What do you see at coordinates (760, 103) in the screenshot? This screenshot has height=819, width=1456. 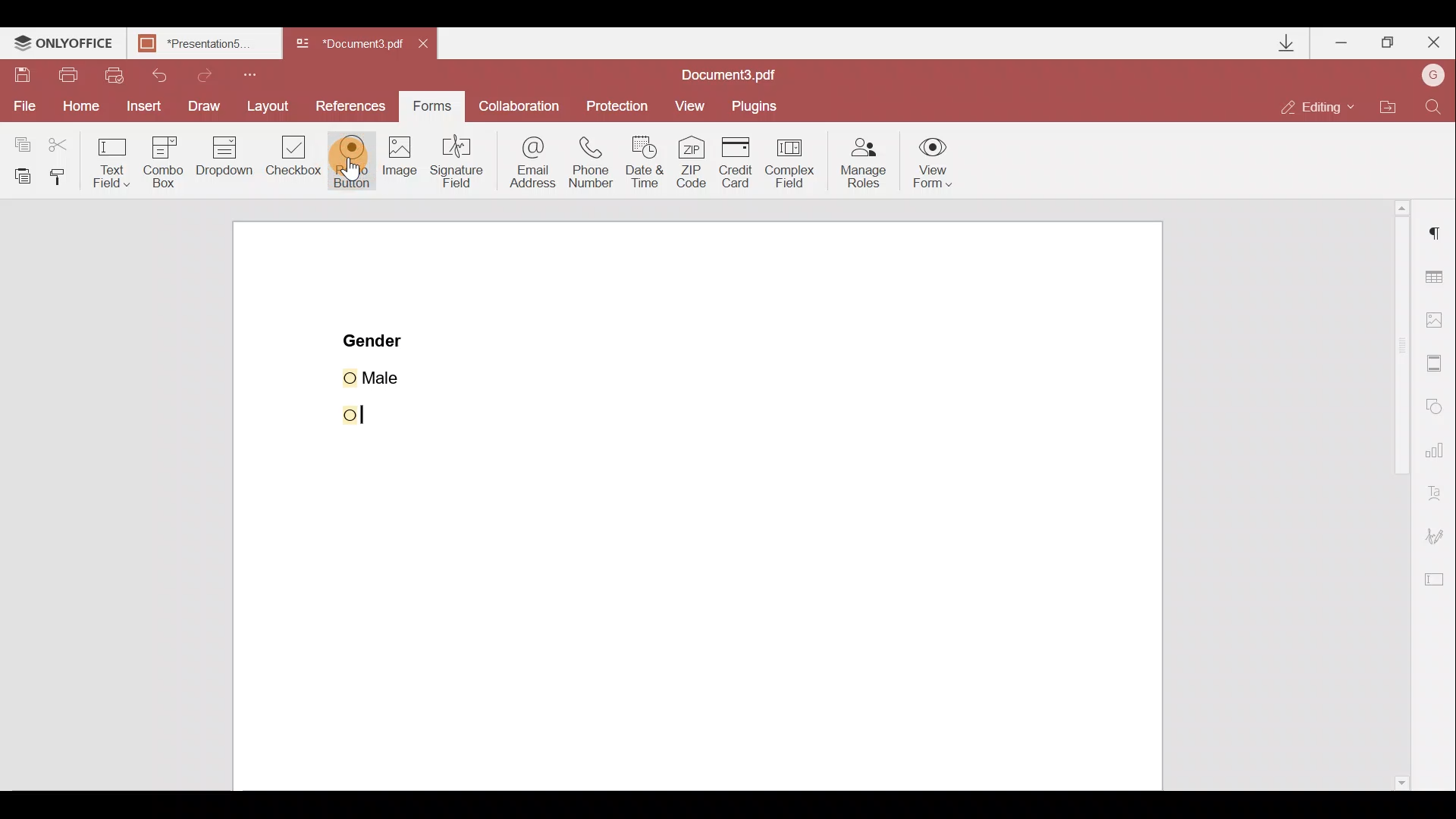 I see `Plugins` at bounding box center [760, 103].